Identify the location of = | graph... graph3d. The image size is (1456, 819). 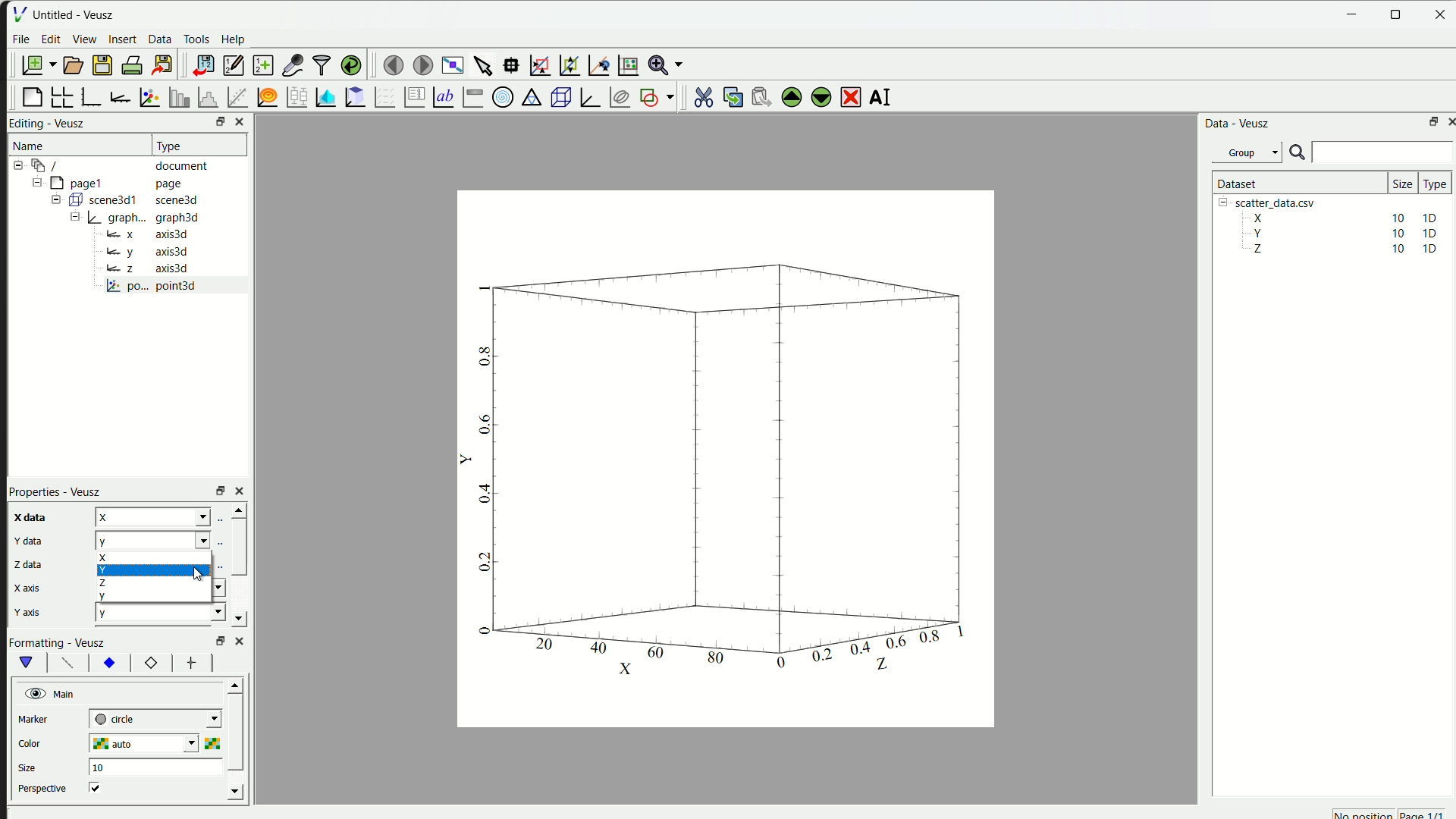
(142, 219).